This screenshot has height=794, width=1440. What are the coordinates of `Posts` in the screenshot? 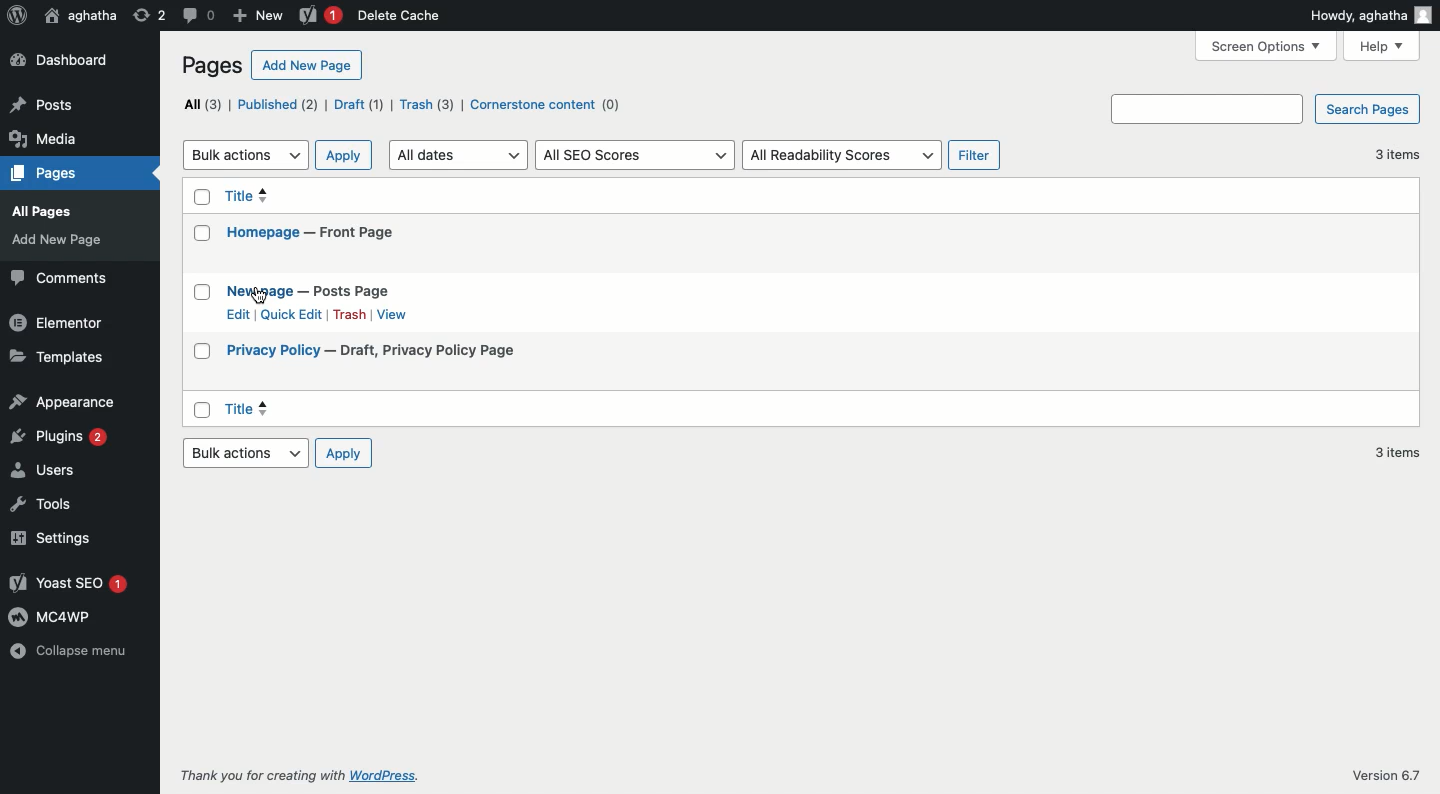 It's located at (74, 176).